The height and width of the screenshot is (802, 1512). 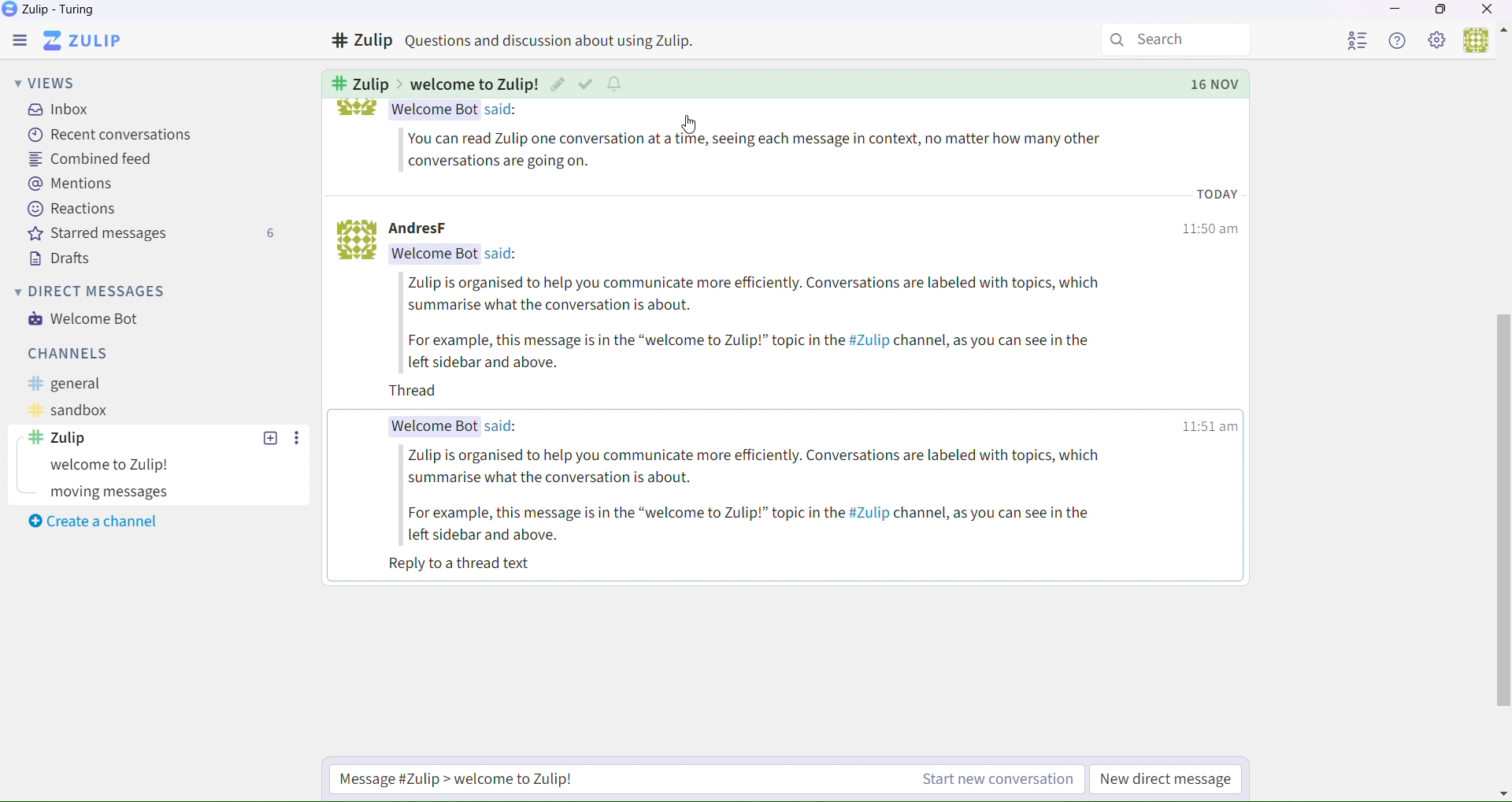 What do you see at coordinates (73, 211) in the screenshot?
I see `Reactions` at bounding box center [73, 211].